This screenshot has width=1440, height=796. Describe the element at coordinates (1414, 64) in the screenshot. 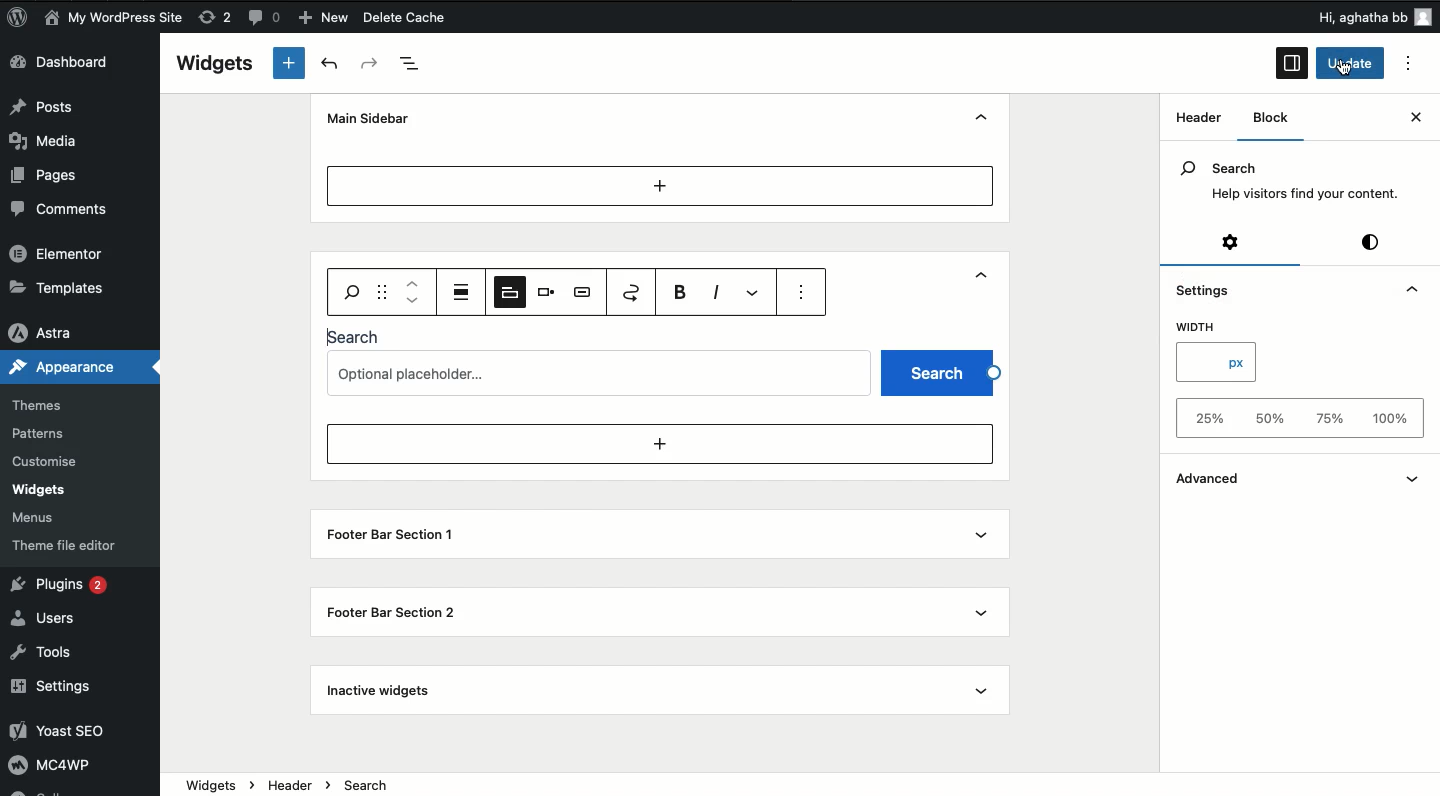

I see `Options` at that location.